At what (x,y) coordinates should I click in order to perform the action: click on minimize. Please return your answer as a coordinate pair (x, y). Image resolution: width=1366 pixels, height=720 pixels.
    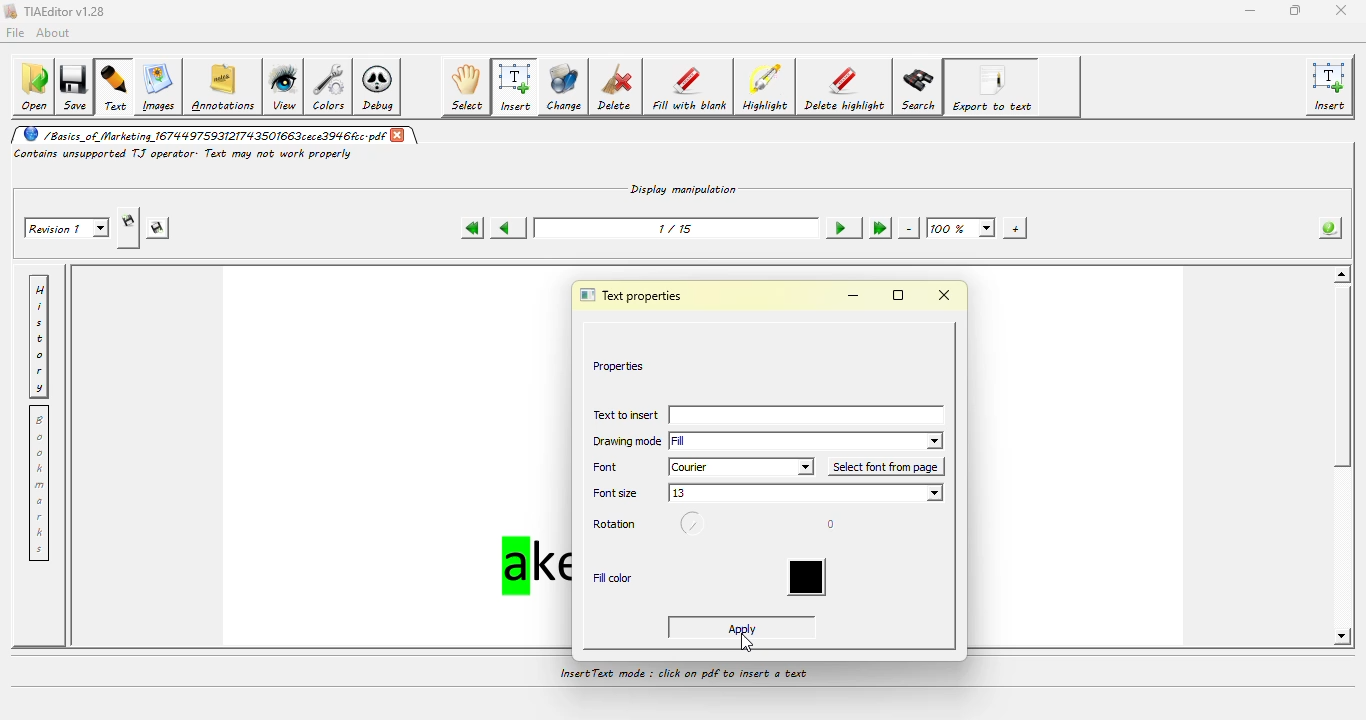
    Looking at the image, I should click on (1248, 9).